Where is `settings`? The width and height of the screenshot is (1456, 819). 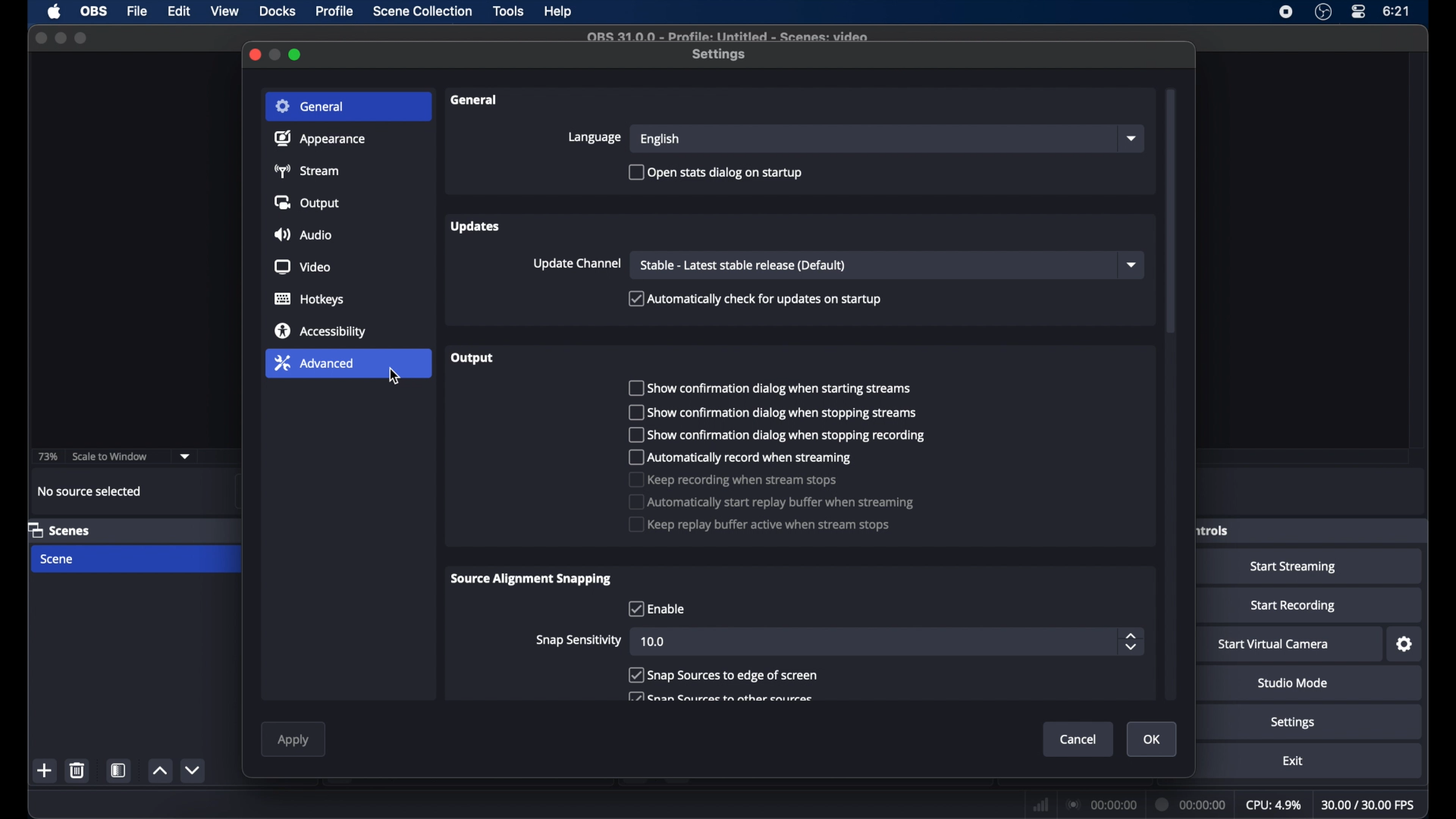 settings is located at coordinates (1405, 645).